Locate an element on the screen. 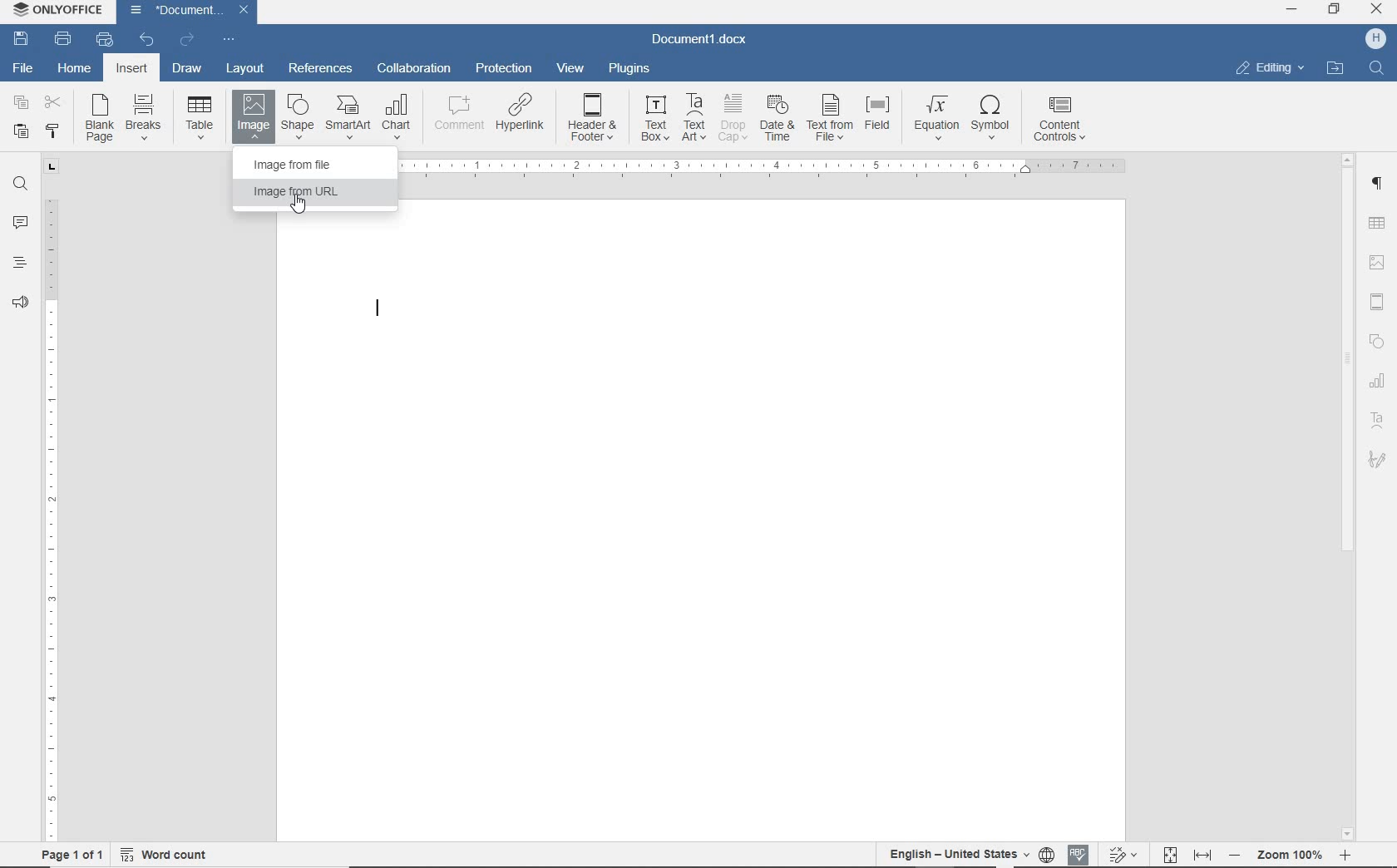 The image size is (1397, 868). - zoom 100% +(zoom out or zoom in) is located at coordinates (1292, 856).